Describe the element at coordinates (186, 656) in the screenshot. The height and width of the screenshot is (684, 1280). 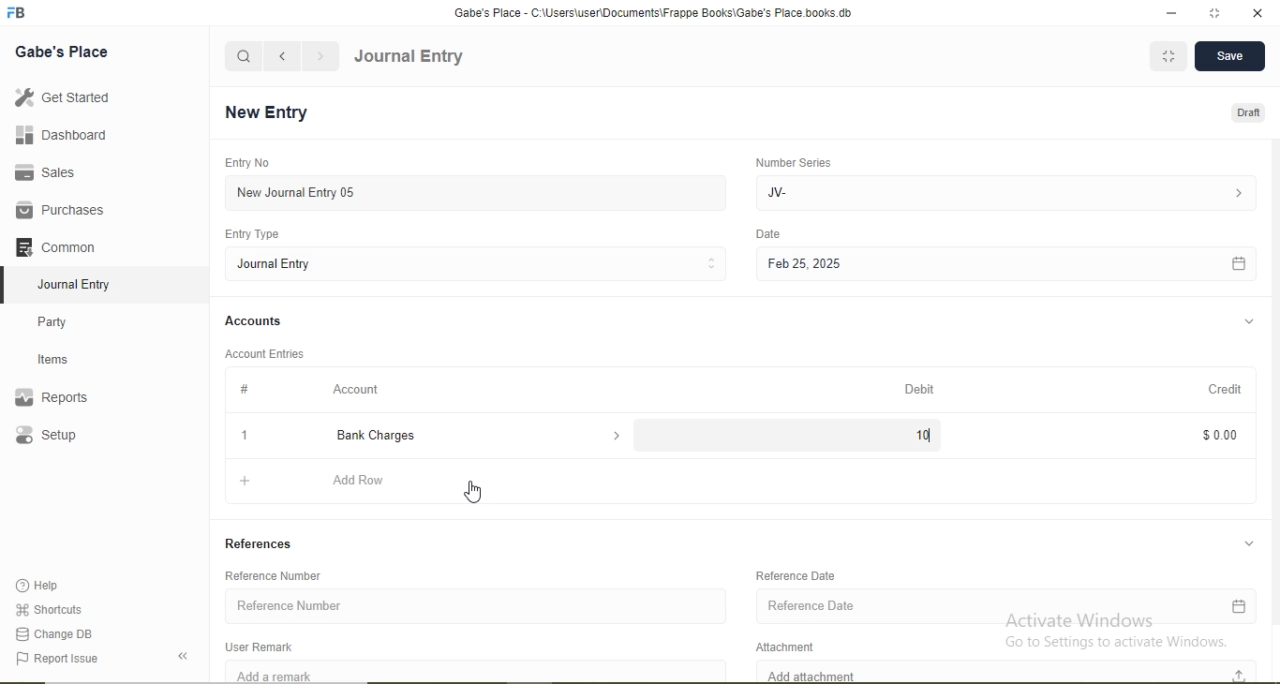
I see `collapse sidebar` at that location.